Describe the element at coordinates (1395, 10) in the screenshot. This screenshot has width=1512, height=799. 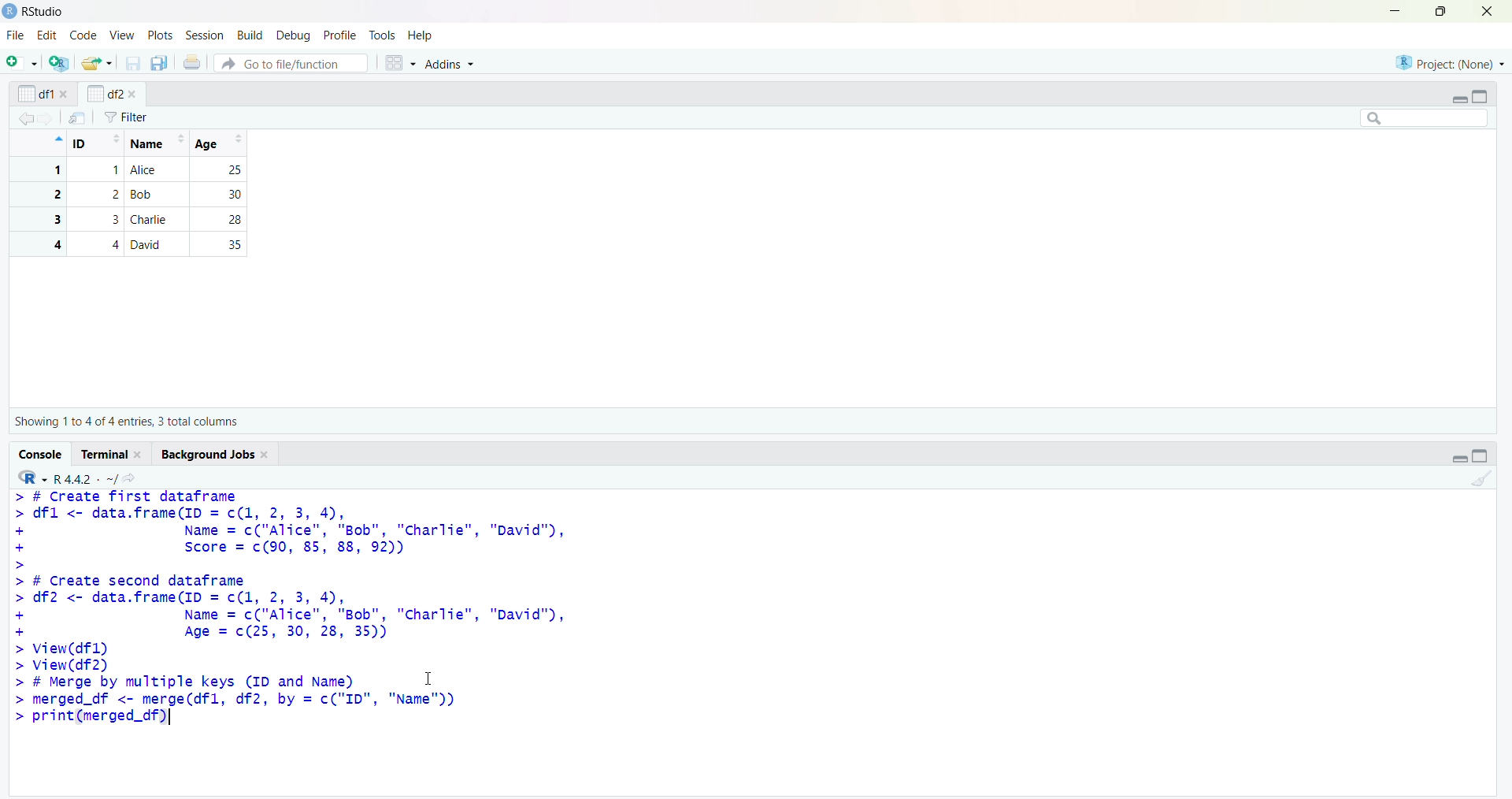
I see `minimise` at that location.